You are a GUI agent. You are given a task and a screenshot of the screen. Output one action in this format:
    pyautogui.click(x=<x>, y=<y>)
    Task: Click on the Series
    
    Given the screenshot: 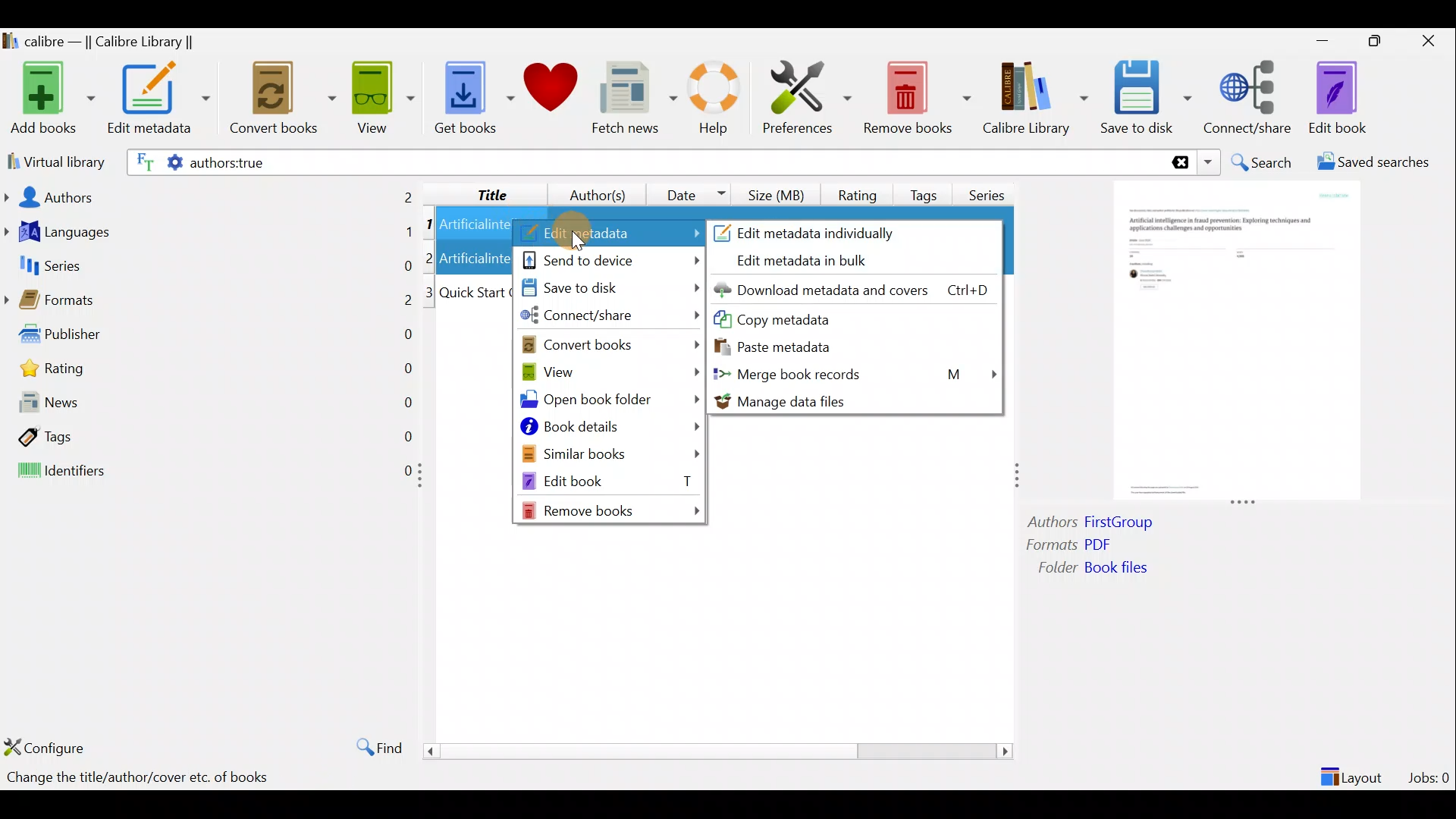 What is the action you would take?
    pyautogui.click(x=992, y=190)
    